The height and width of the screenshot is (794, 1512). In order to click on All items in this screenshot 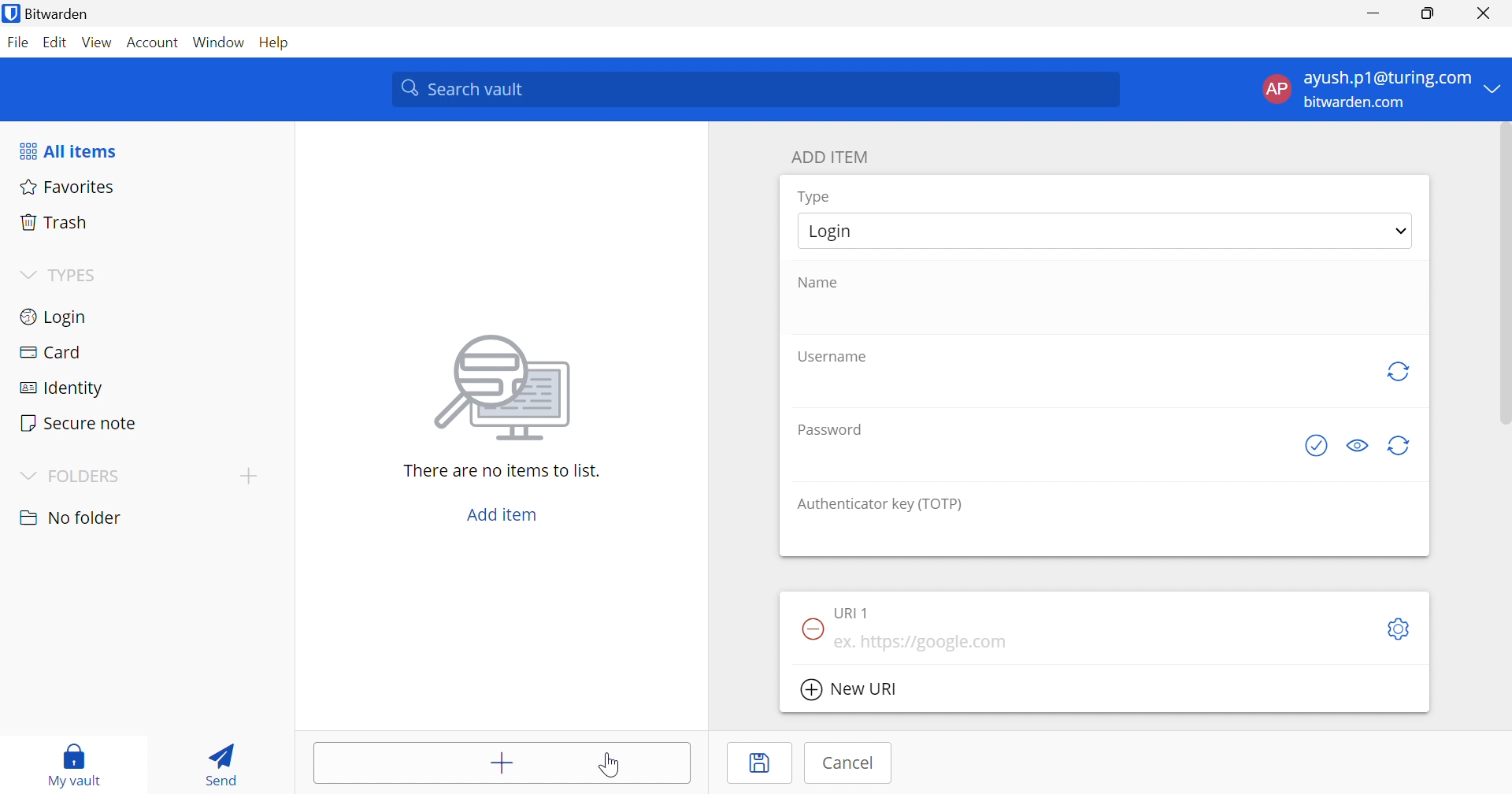, I will do `click(67, 151)`.